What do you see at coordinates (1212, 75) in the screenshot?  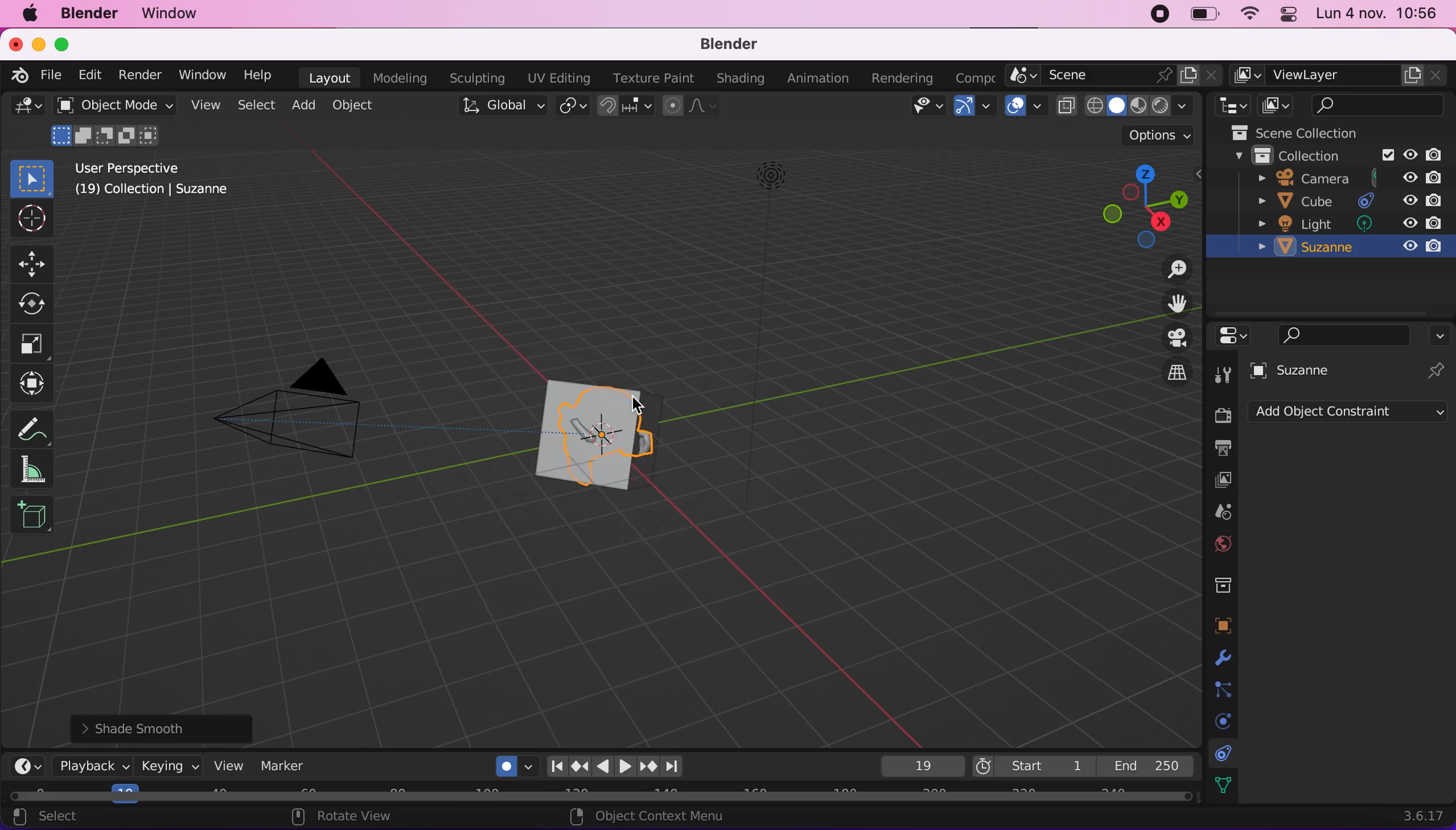 I see `close` at bounding box center [1212, 75].